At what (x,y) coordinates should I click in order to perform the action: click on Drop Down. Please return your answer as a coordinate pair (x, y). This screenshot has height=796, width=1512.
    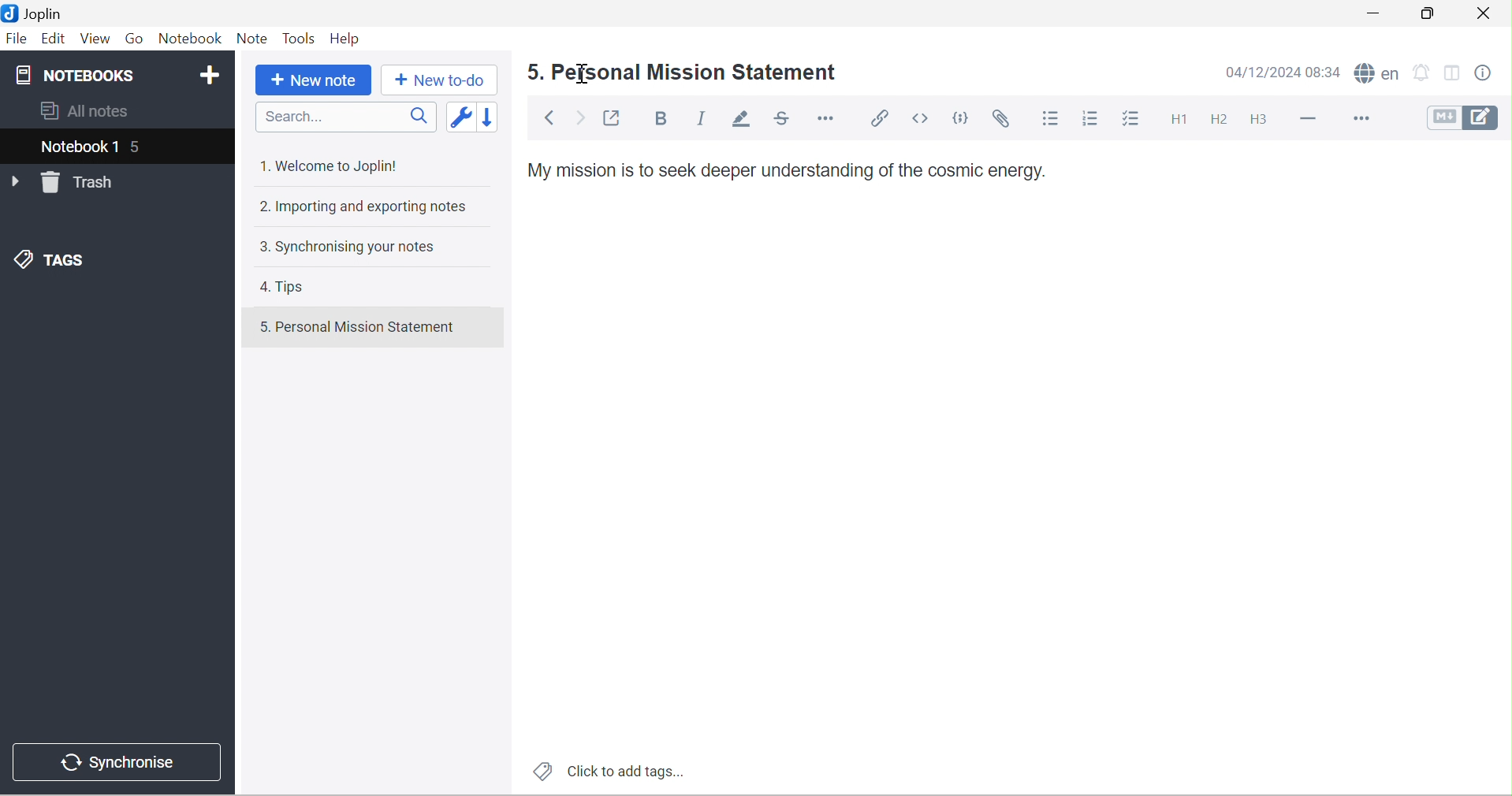
    Looking at the image, I should click on (13, 183).